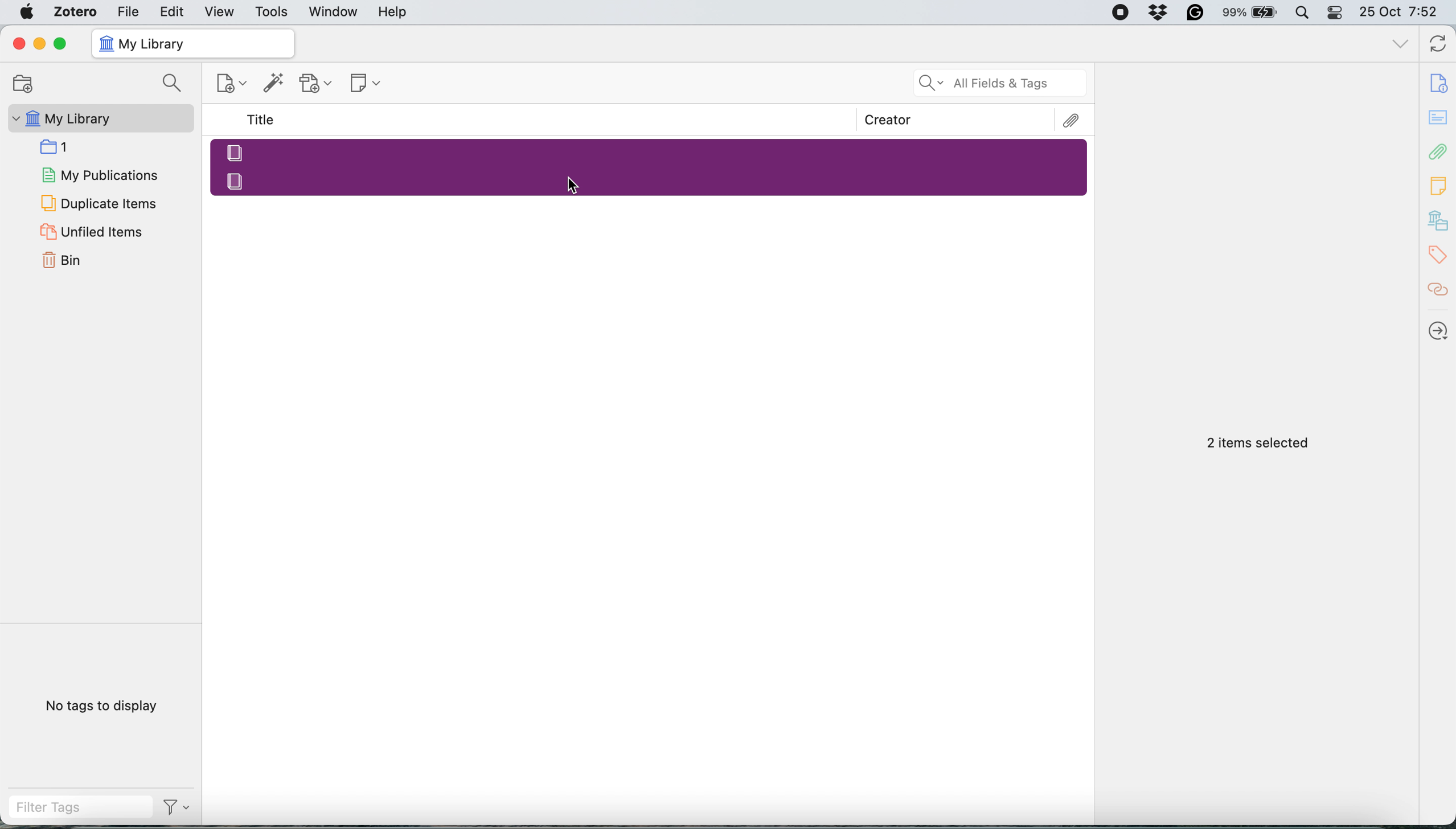 This screenshot has width=1456, height=829. I want to click on Search, so click(175, 84).